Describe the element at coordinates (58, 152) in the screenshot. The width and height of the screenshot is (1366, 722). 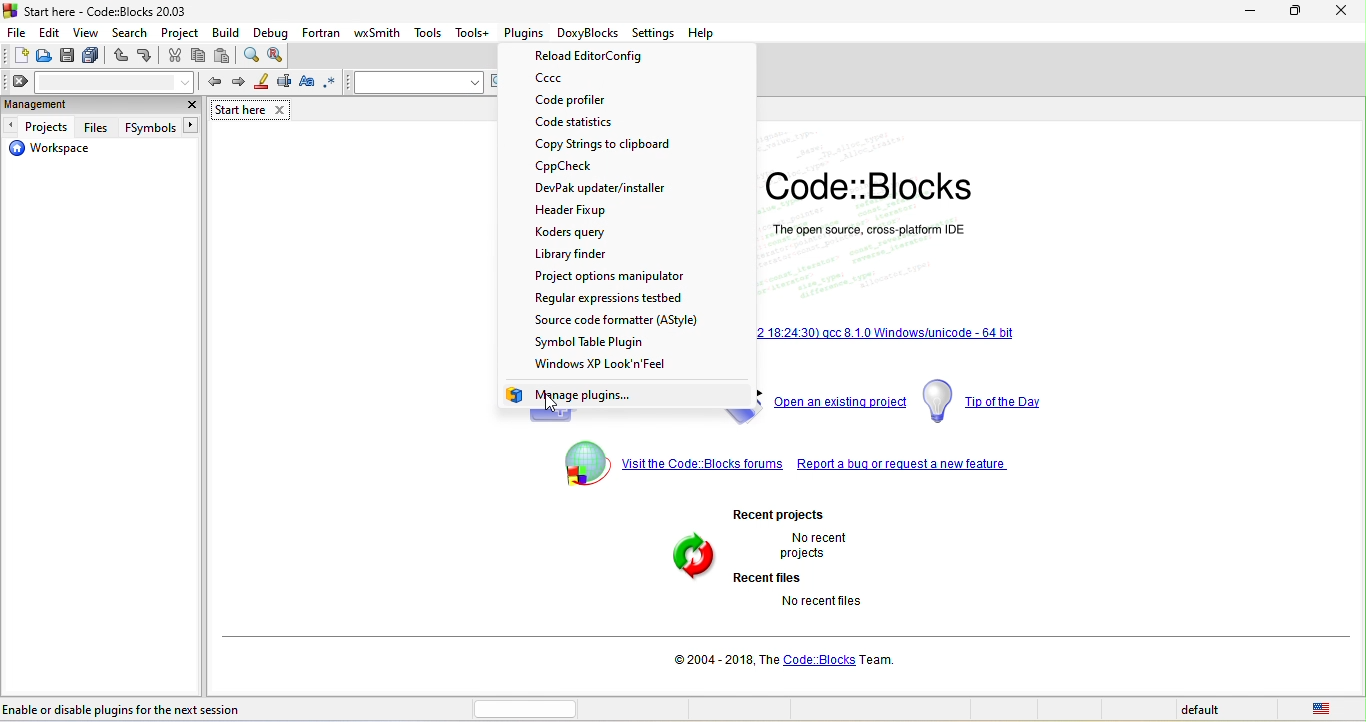
I see `workspace ` at that location.